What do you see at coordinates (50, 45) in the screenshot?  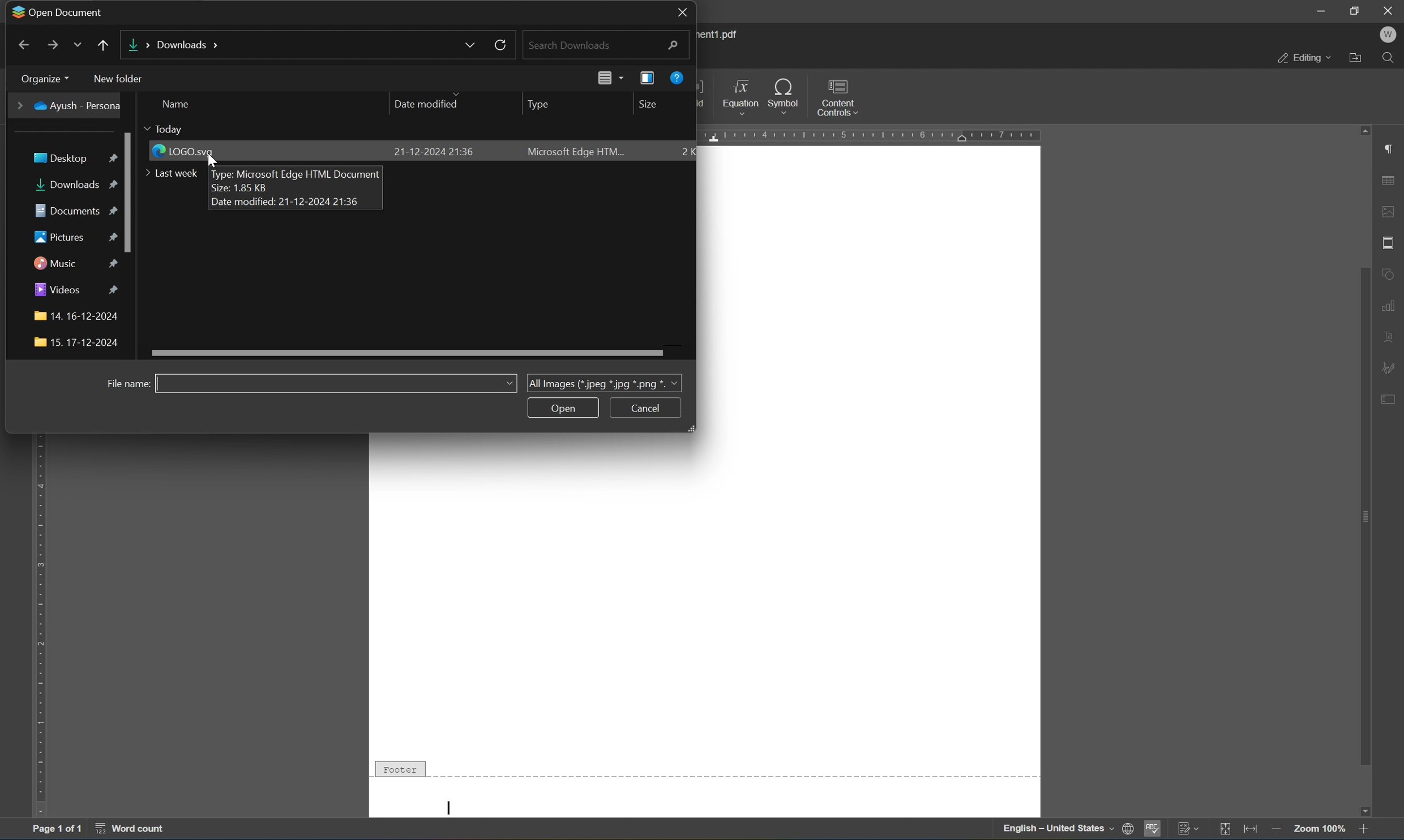 I see `forward` at bounding box center [50, 45].